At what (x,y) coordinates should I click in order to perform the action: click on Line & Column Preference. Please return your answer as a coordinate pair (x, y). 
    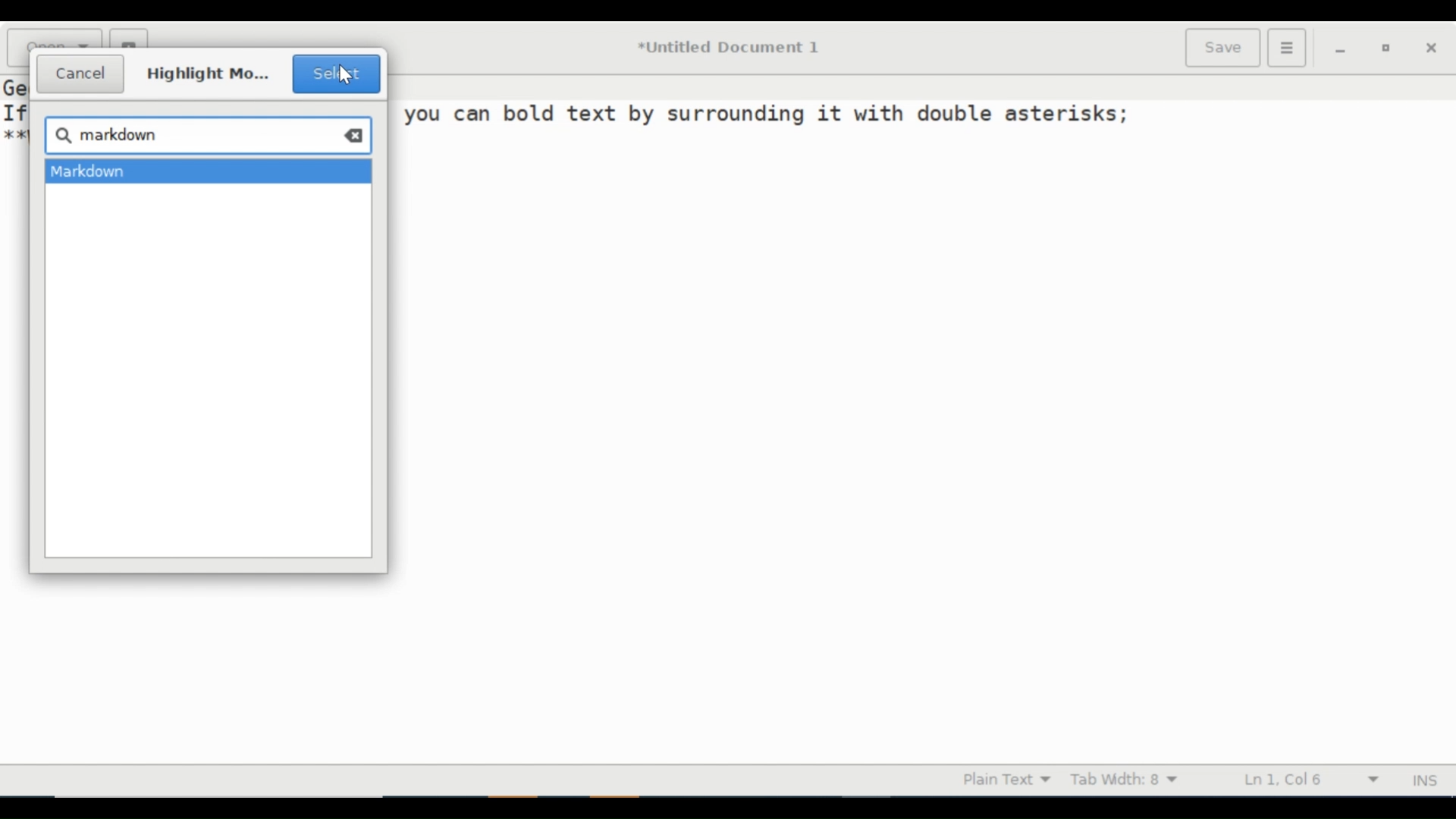
    Looking at the image, I should click on (1316, 779).